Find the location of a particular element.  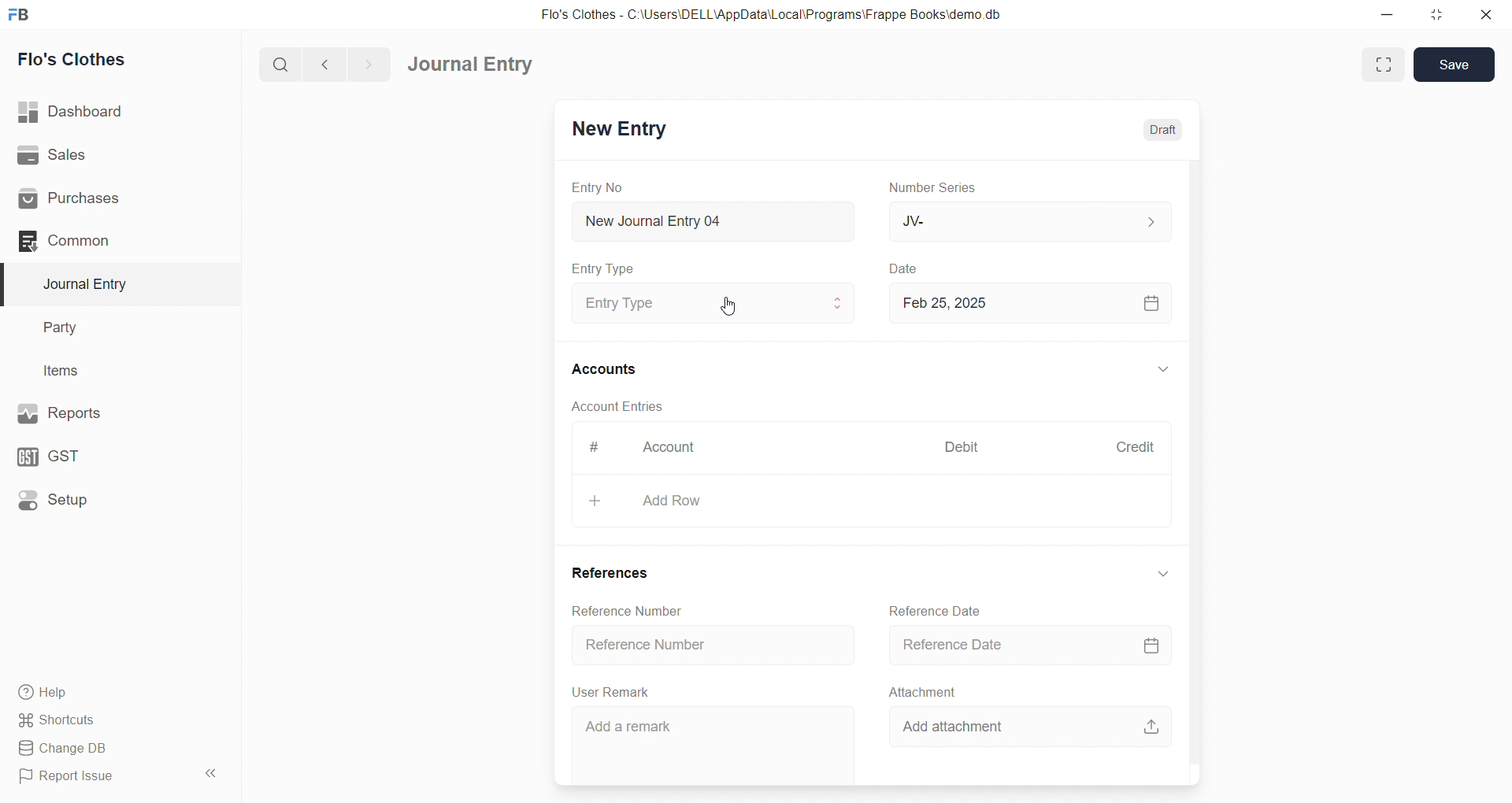

navigate forward is located at coordinates (368, 63).